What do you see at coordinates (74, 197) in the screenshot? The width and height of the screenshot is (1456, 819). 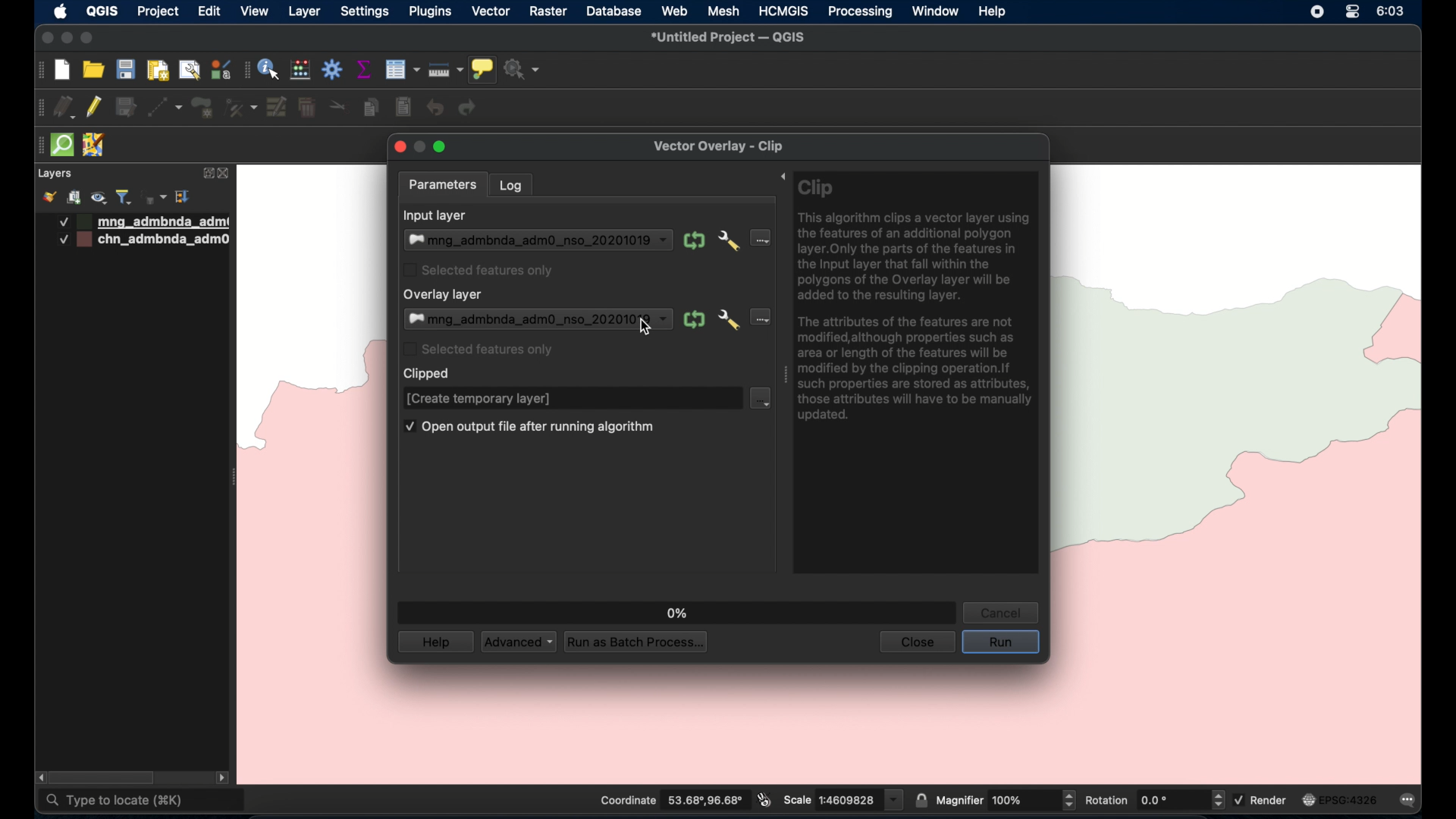 I see `add group` at bounding box center [74, 197].